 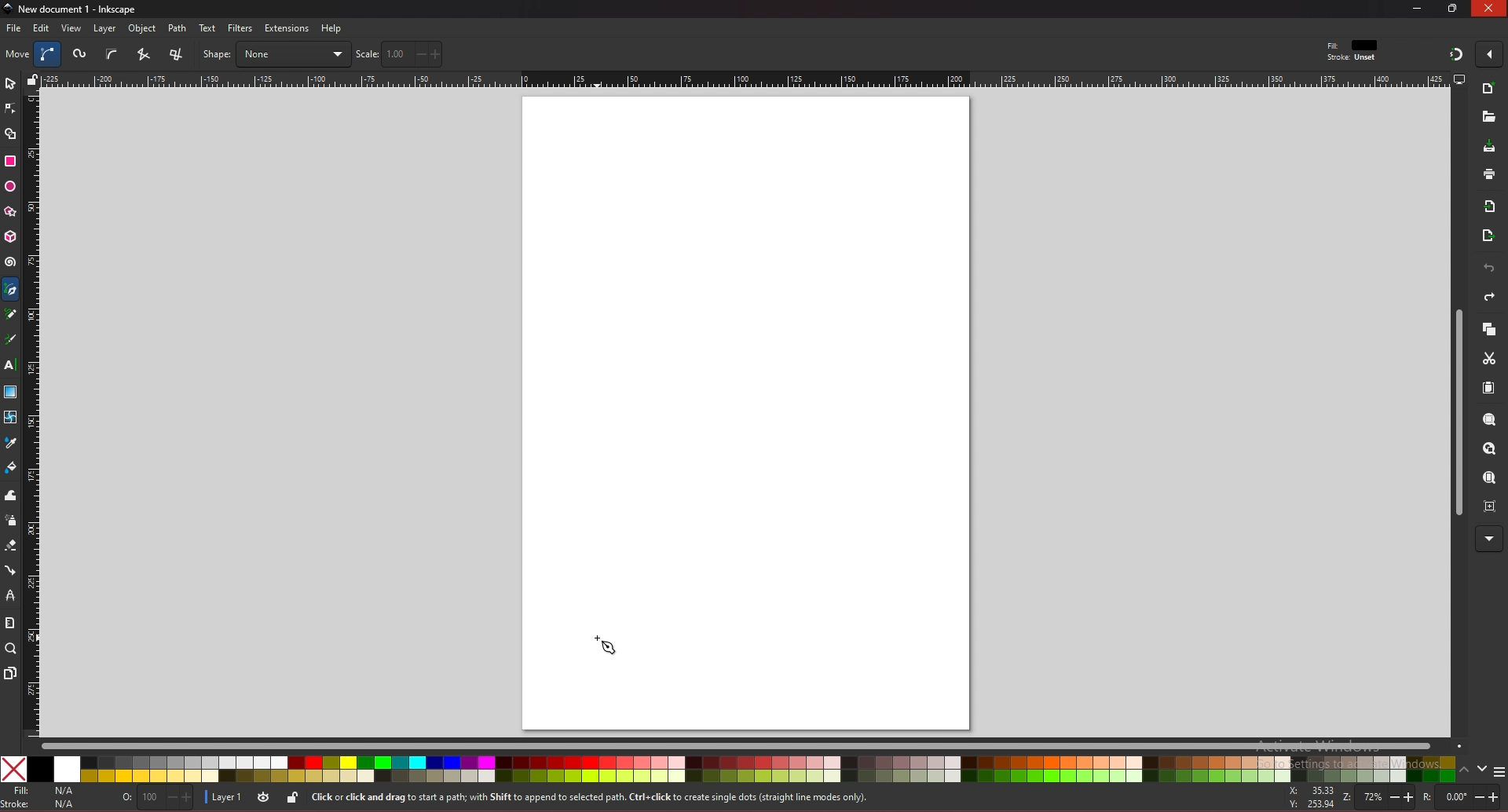 What do you see at coordinates (42, 804) in the screenshot?
I see `stroke` at bounding box center [42, 804].